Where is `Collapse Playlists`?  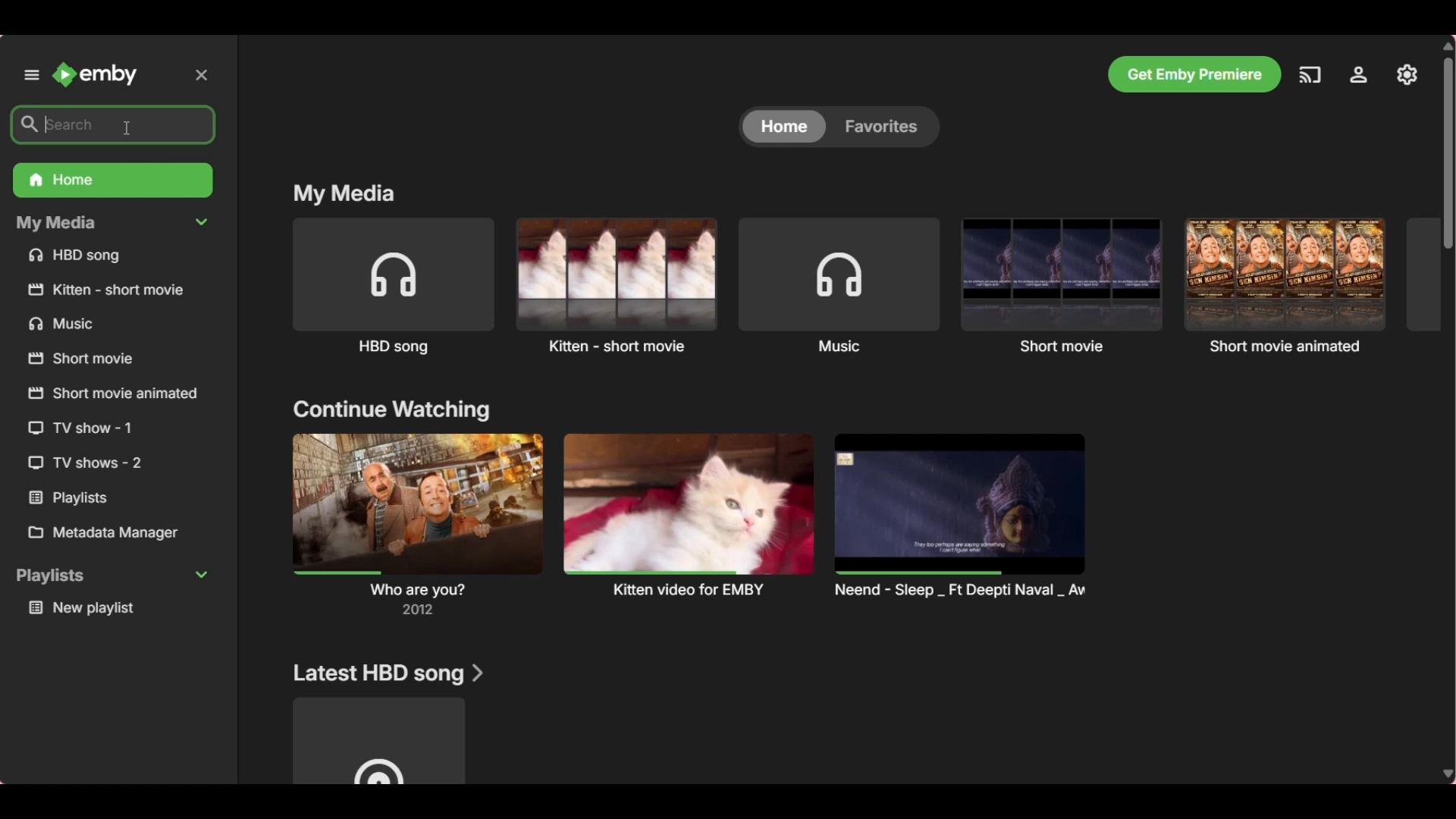 Collapse Playlists is located at coordinates (111, 576).